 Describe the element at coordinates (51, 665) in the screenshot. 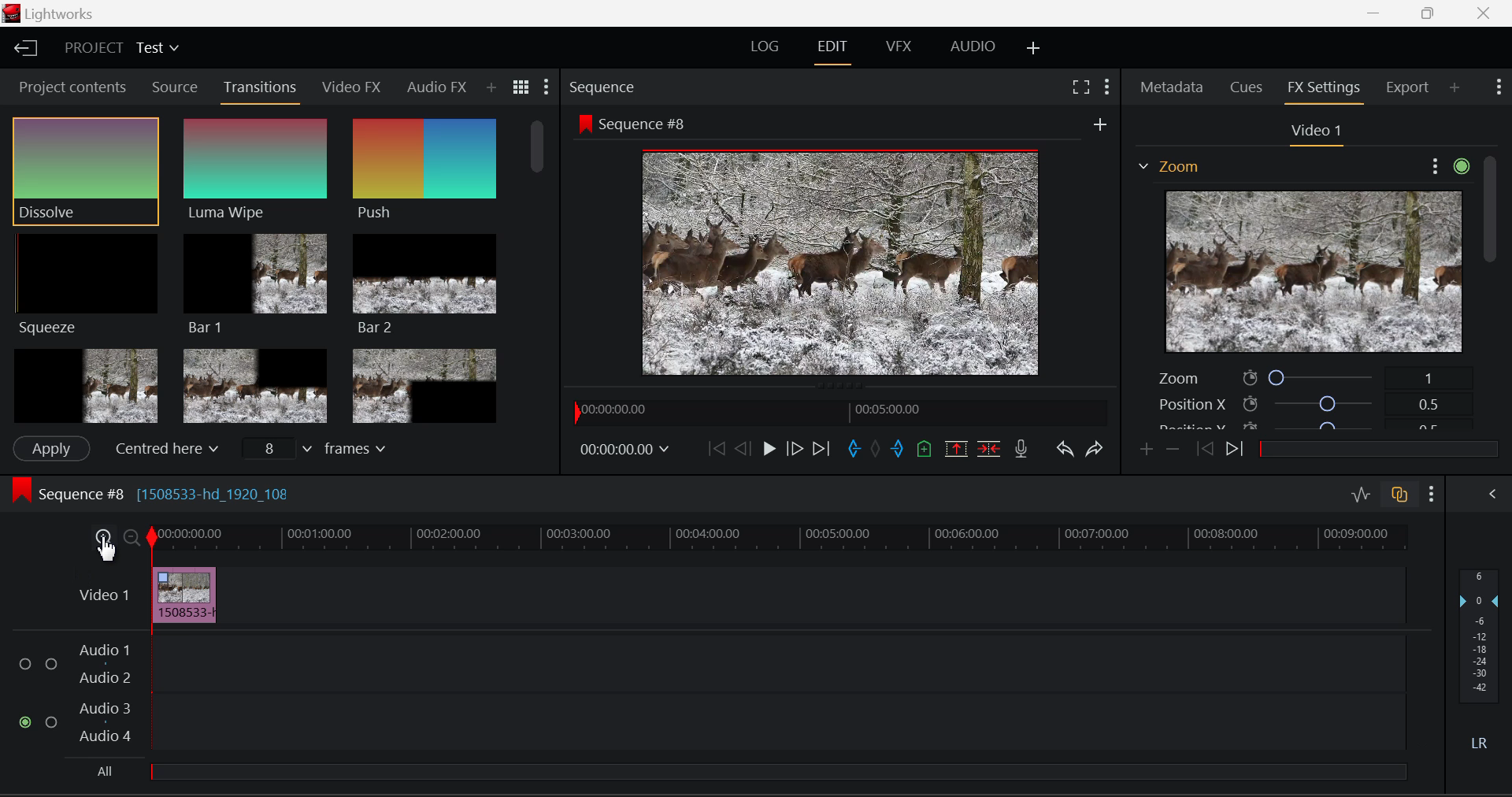

I see `Audio Input Checkbox` at that location.